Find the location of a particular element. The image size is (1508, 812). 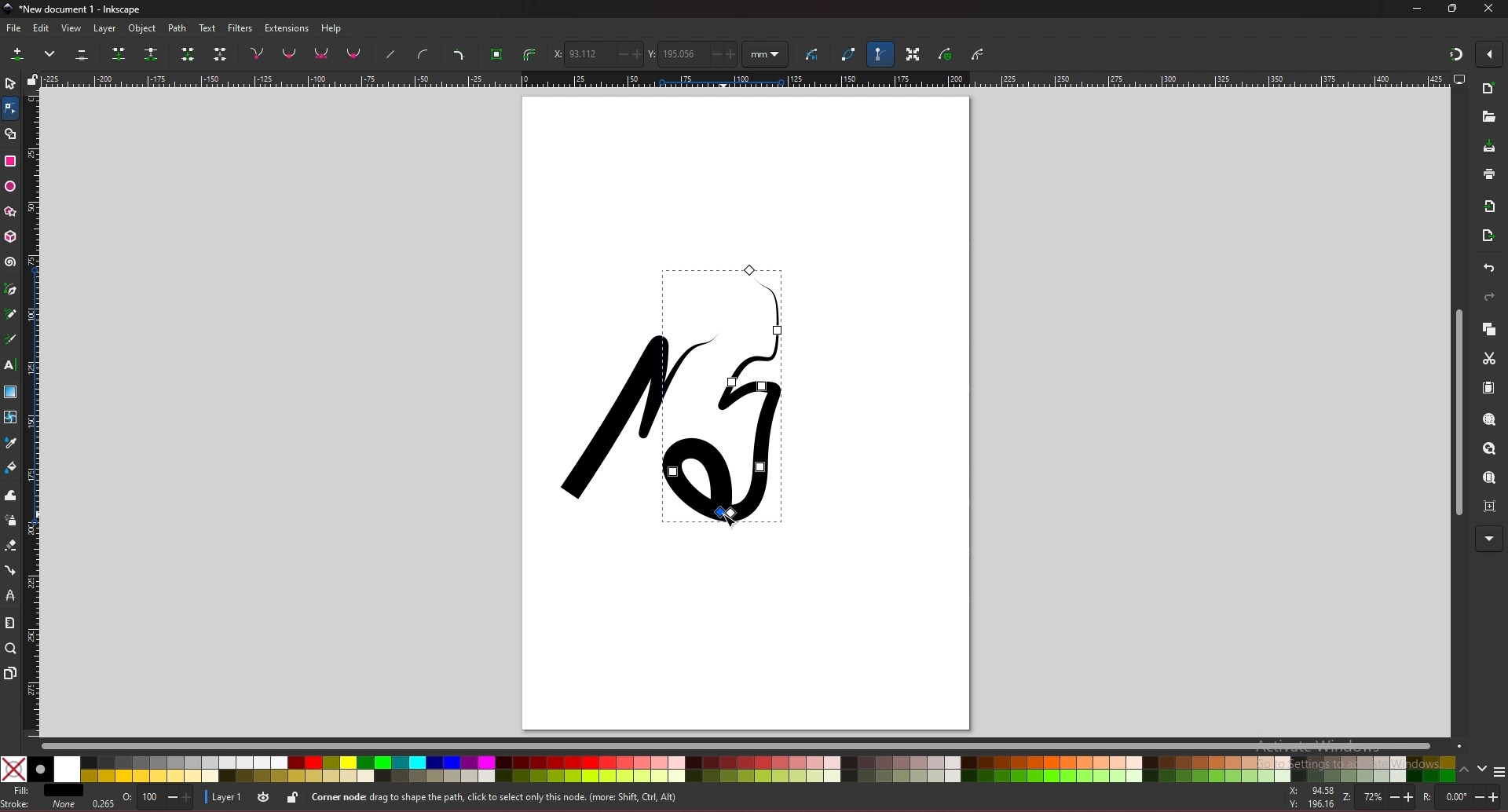

stroke to path is located at coordinates (529, 54).